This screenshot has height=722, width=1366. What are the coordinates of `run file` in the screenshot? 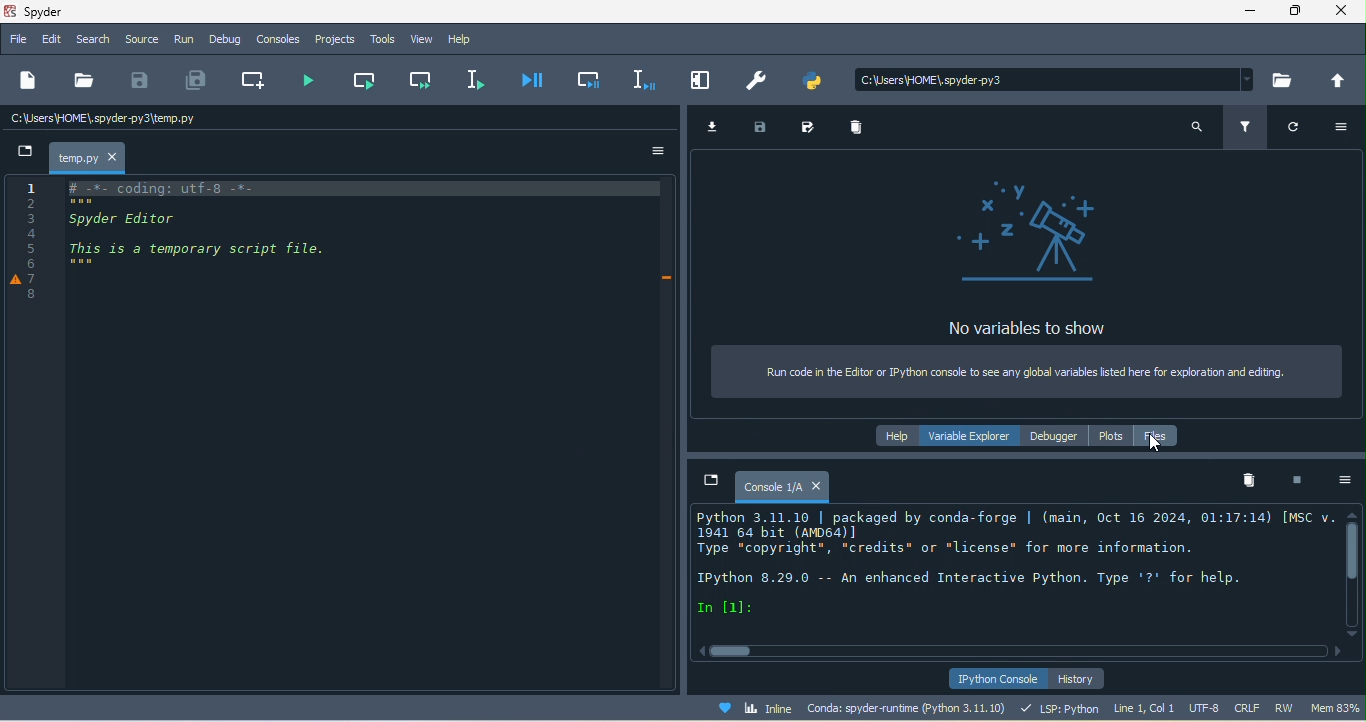 It's located at (304, 81).